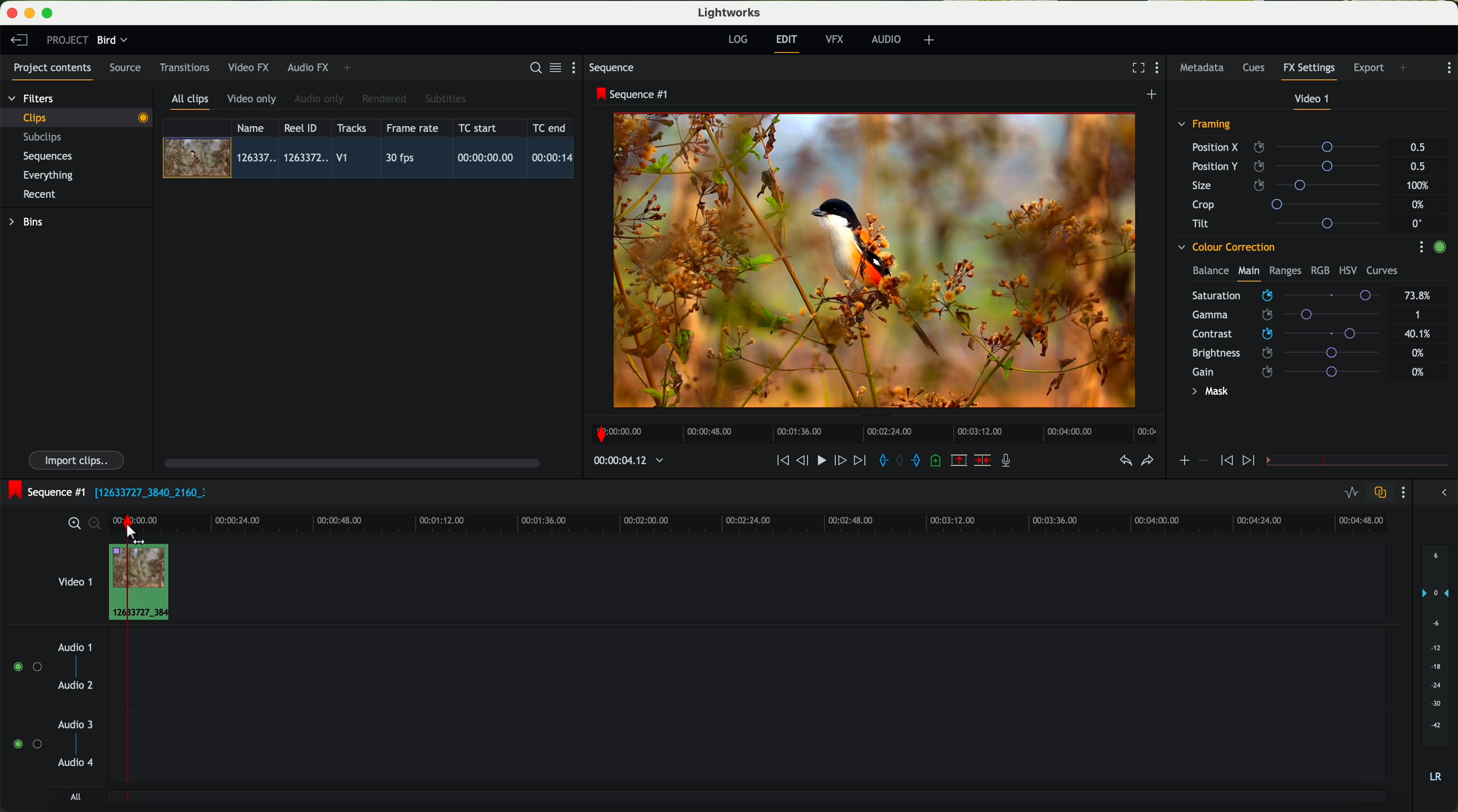 This screenshot has height=812, width=1458. What do you see at coordinates (782, 461) in the screenshot?
I see `rewind` at bounding box center [782, 461].